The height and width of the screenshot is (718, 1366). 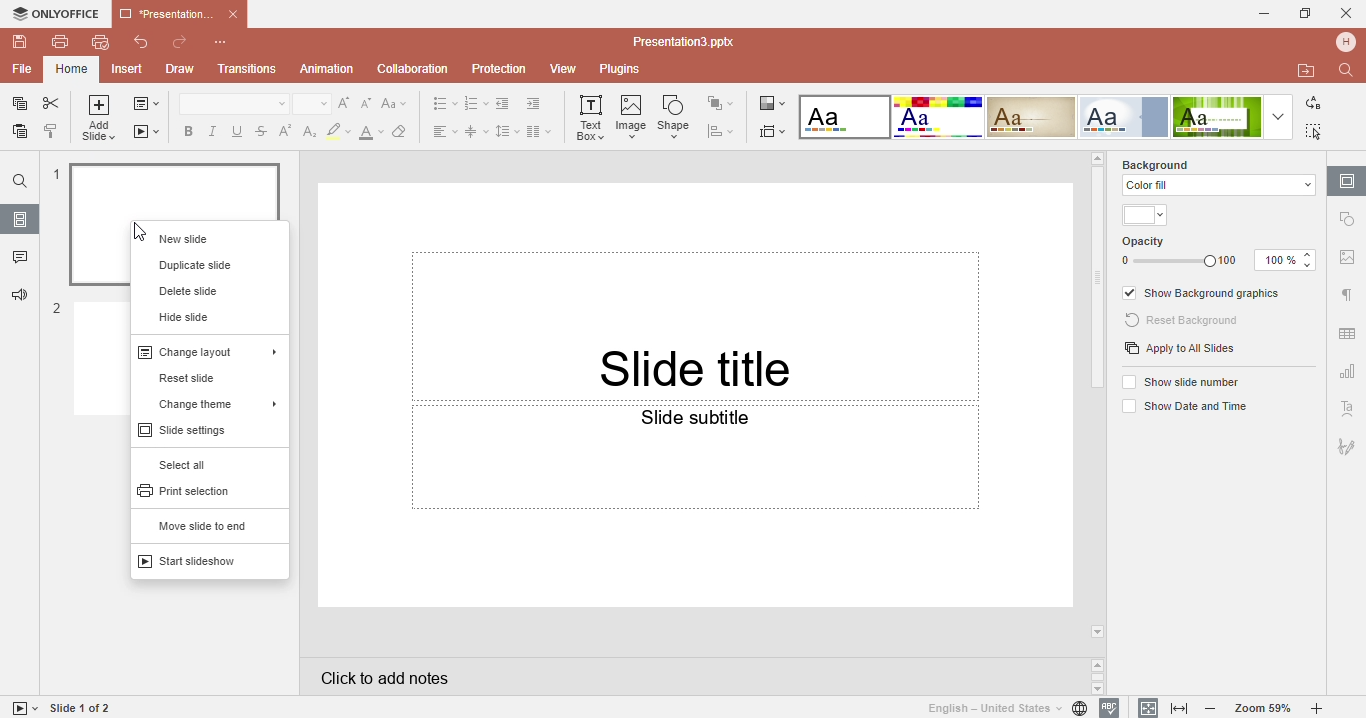 What do you see at coordinates (1172, 163) in the screenshot?
I see `Background` at bounding box center [1172, 163].